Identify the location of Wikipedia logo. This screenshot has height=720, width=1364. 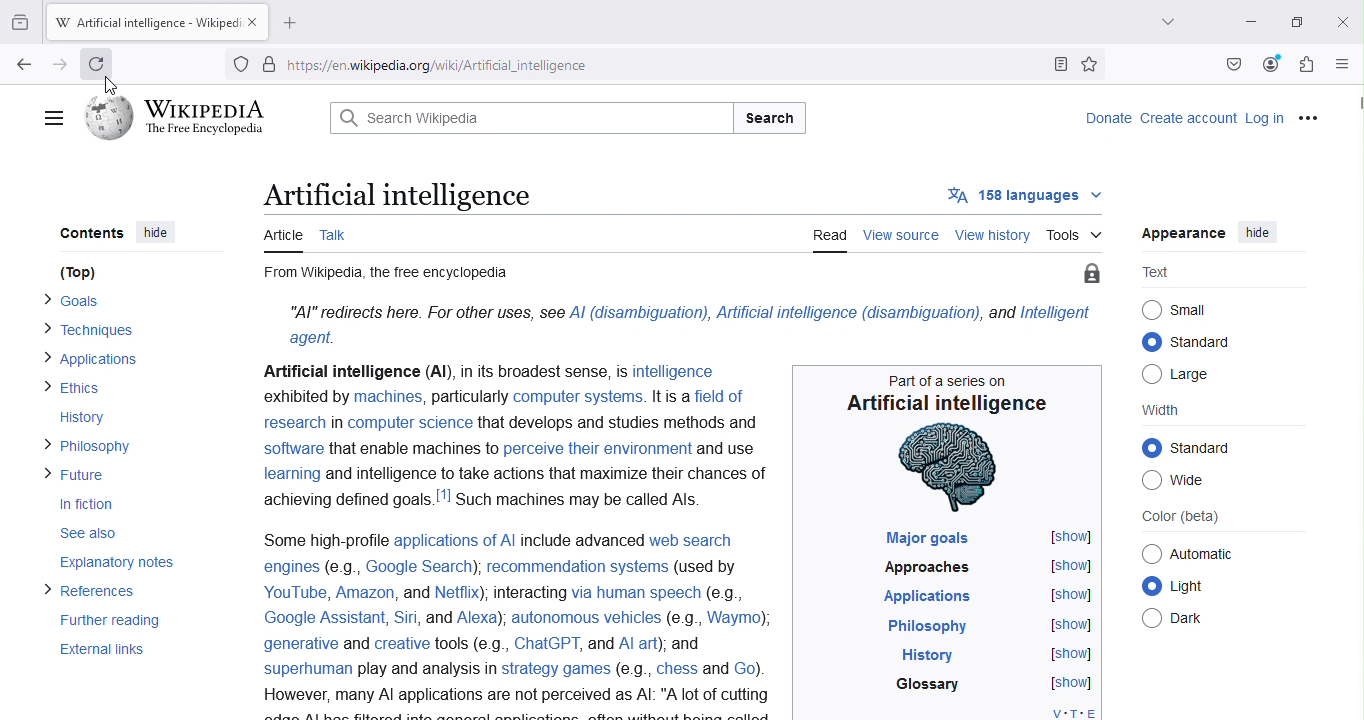
(110, 119).